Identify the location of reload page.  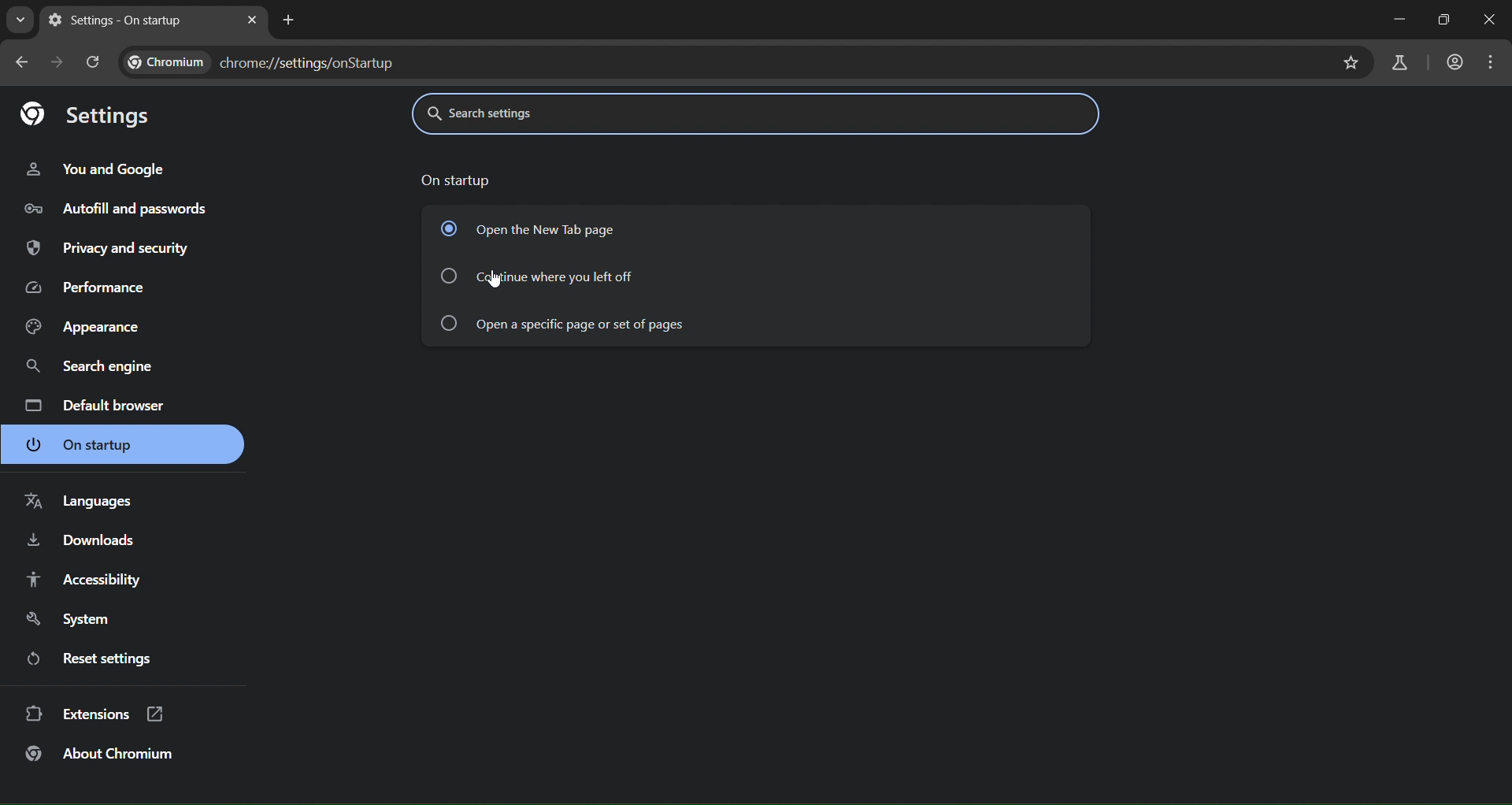
(94, 61).